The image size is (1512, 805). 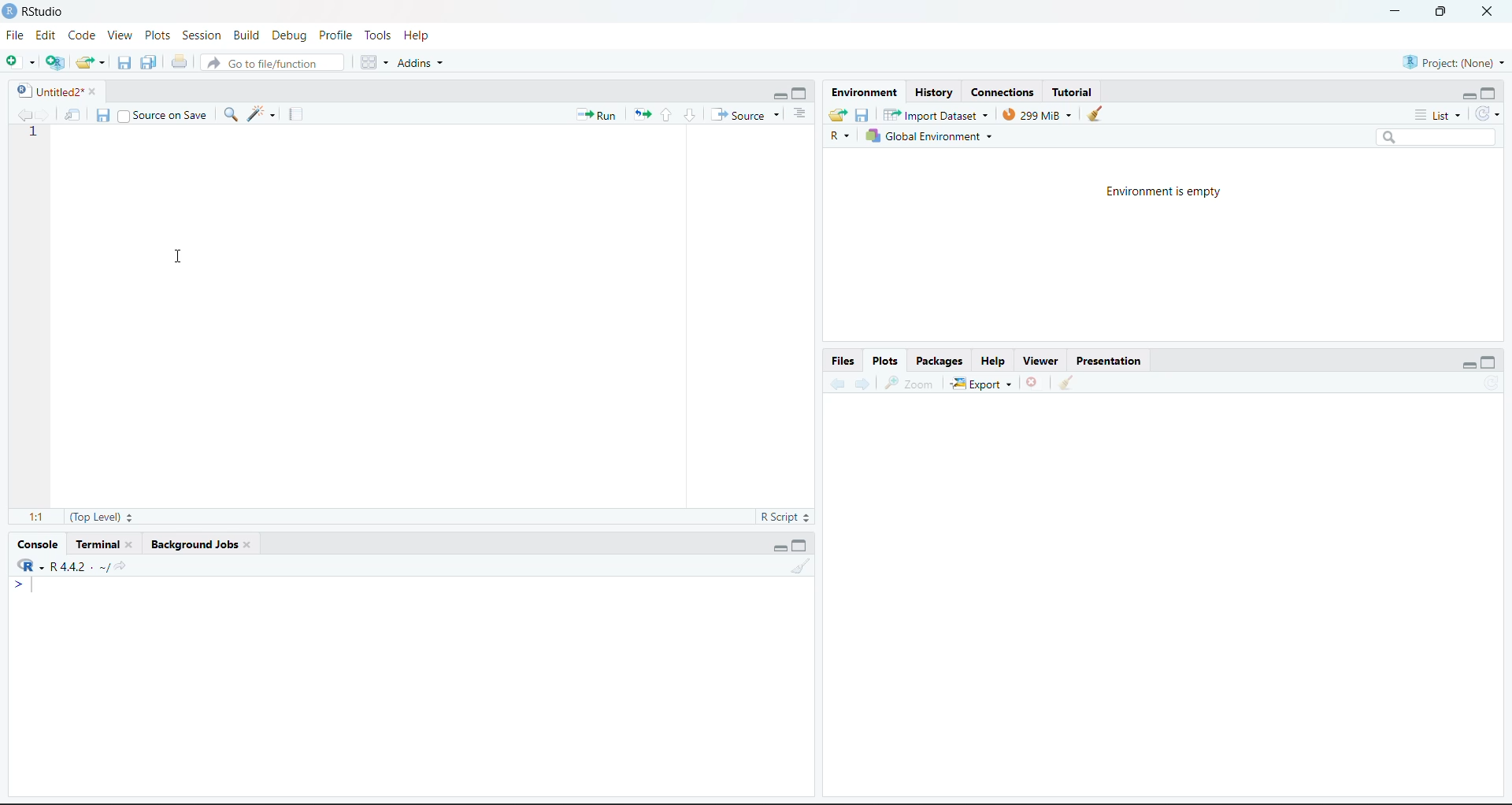 I want to click on minimize, so click(x=1470, y=364).